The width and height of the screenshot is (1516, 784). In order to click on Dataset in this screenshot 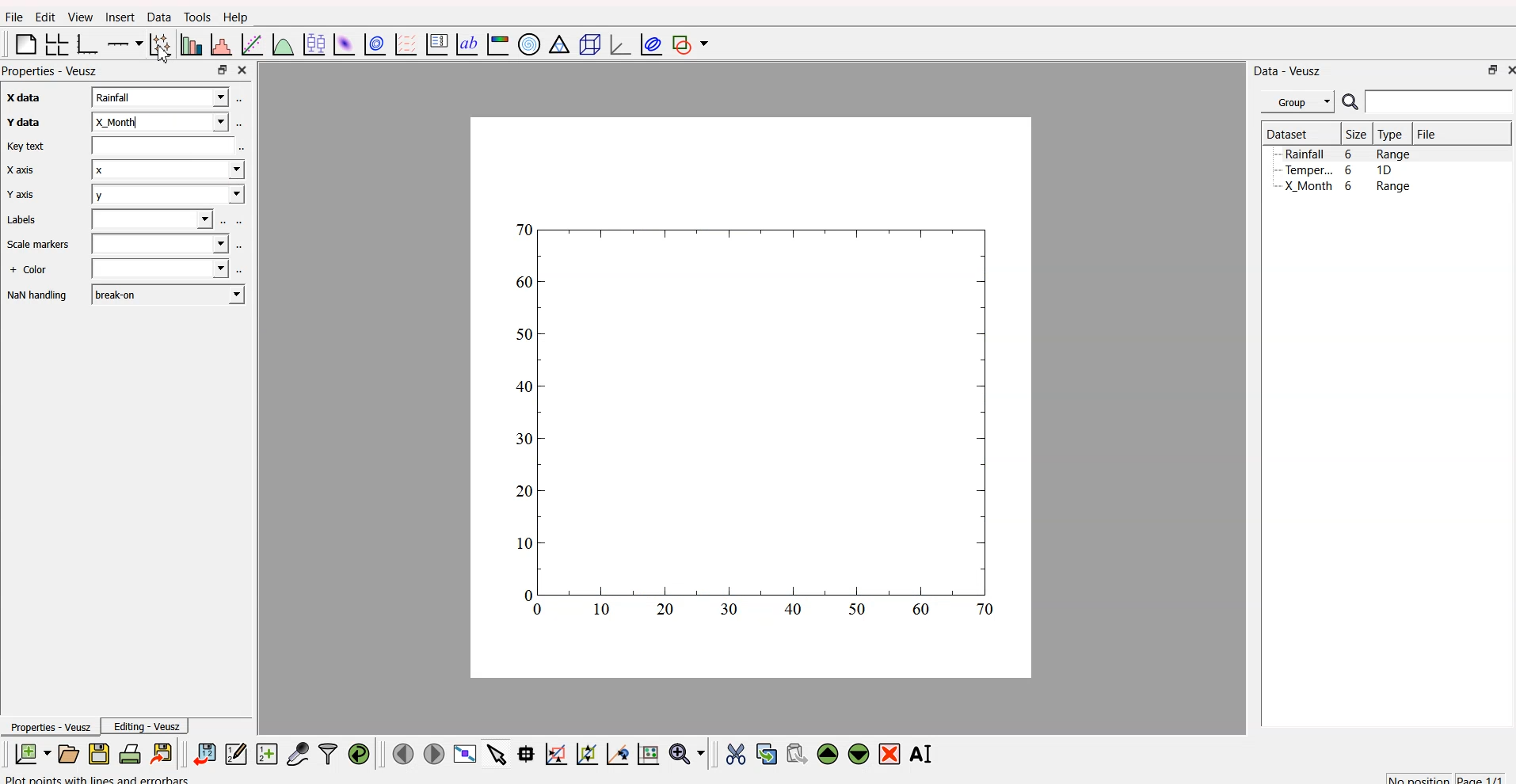, I will do `click(1287, 133)`.